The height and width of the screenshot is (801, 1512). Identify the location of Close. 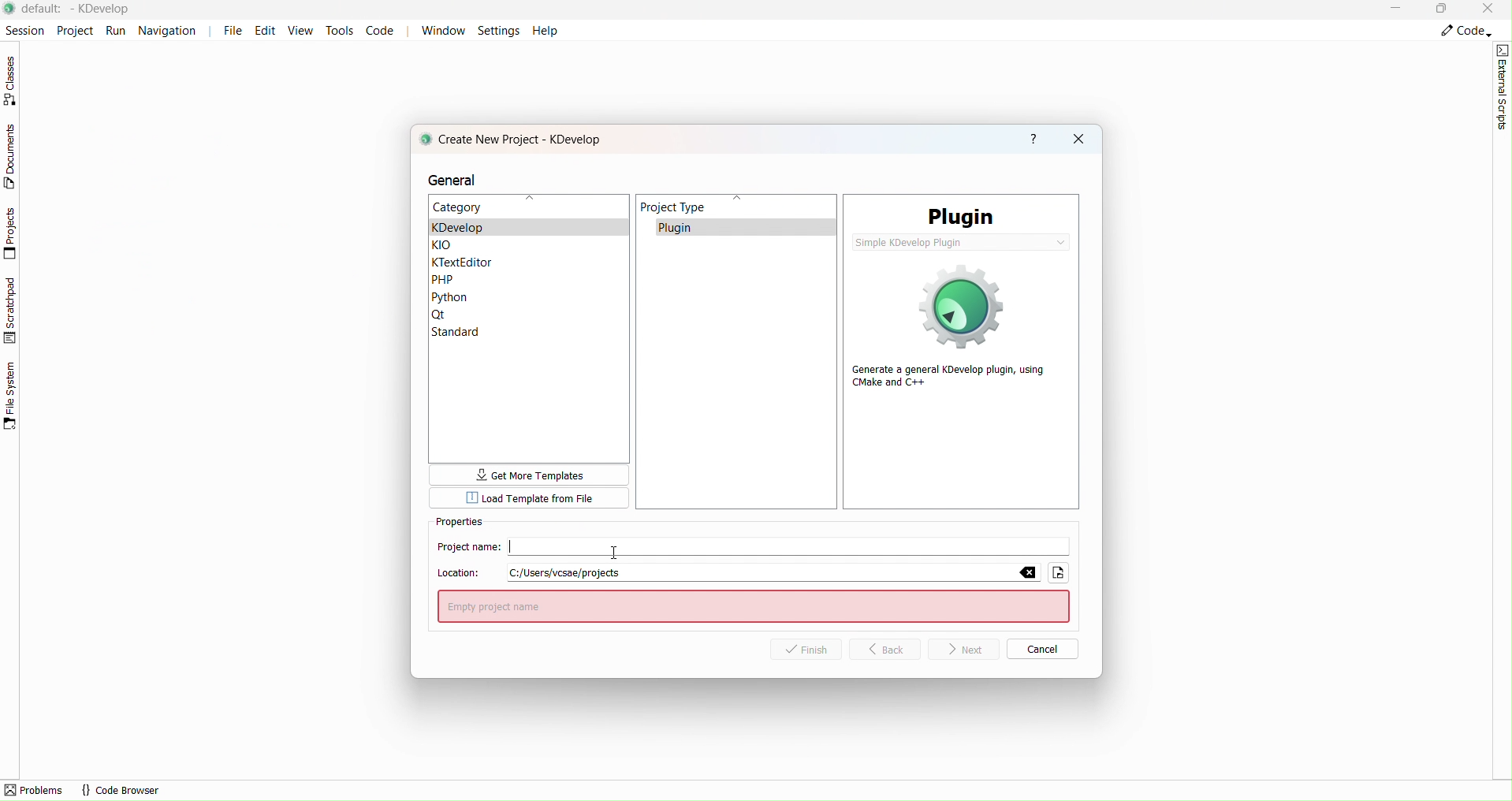
(1490, 9).